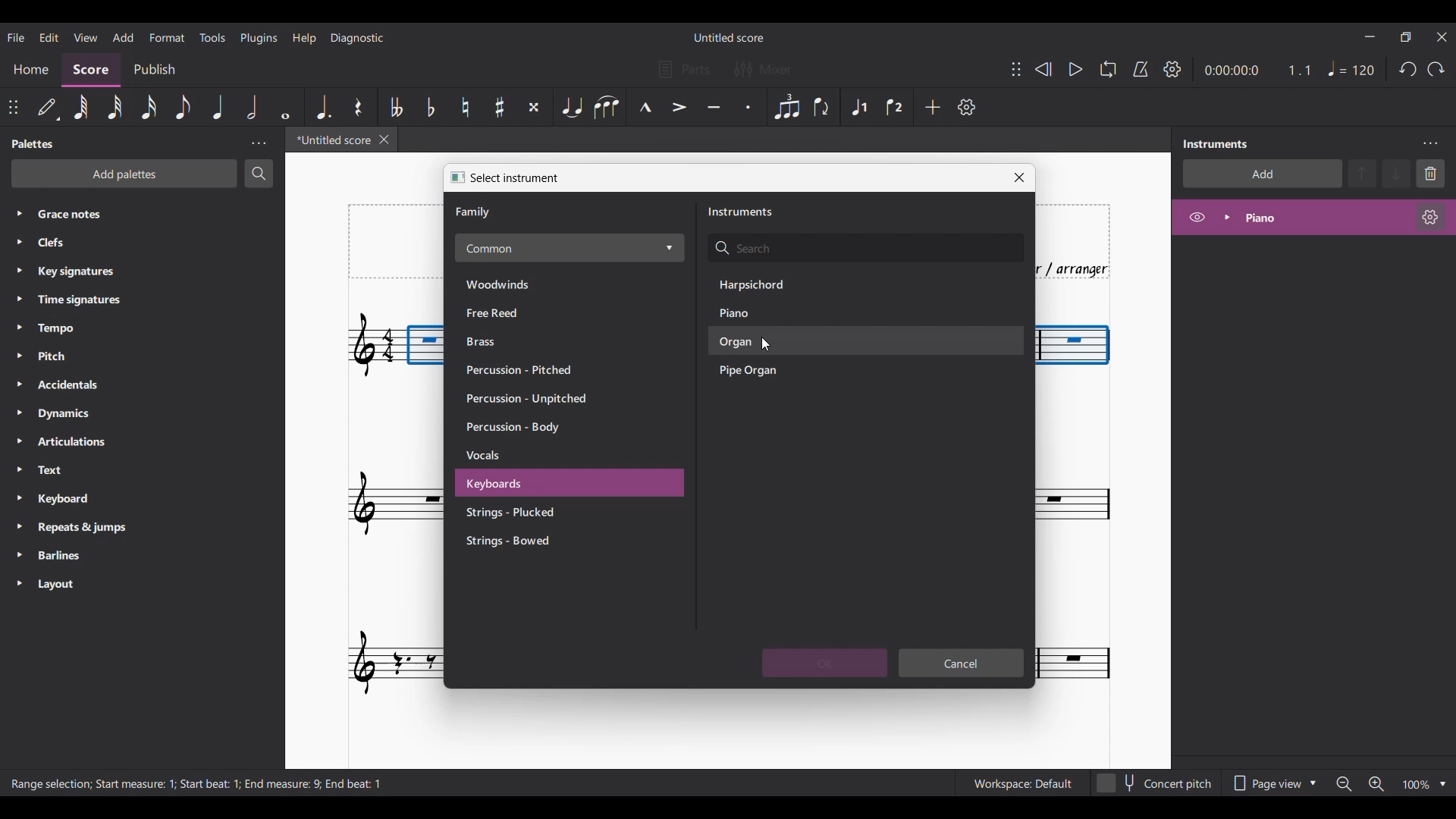 This screenshot has width=1456, height=819. What do you see at coordinates (323, 106) in the screenshot?
I see `Augmentation dot` at bounding box center [323, 106].